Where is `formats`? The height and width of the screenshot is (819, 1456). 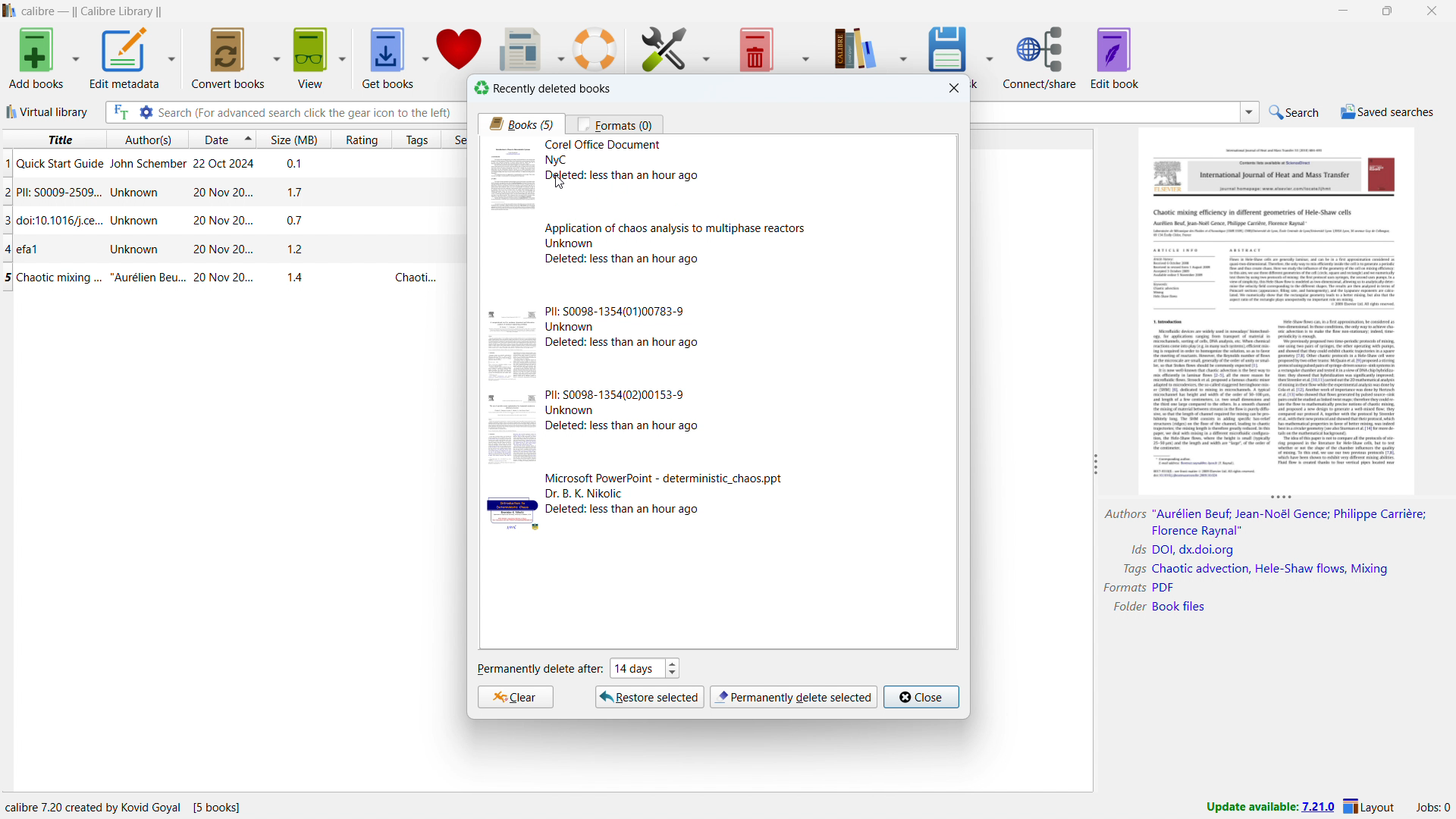
formats is located at coordinates (615, 124).